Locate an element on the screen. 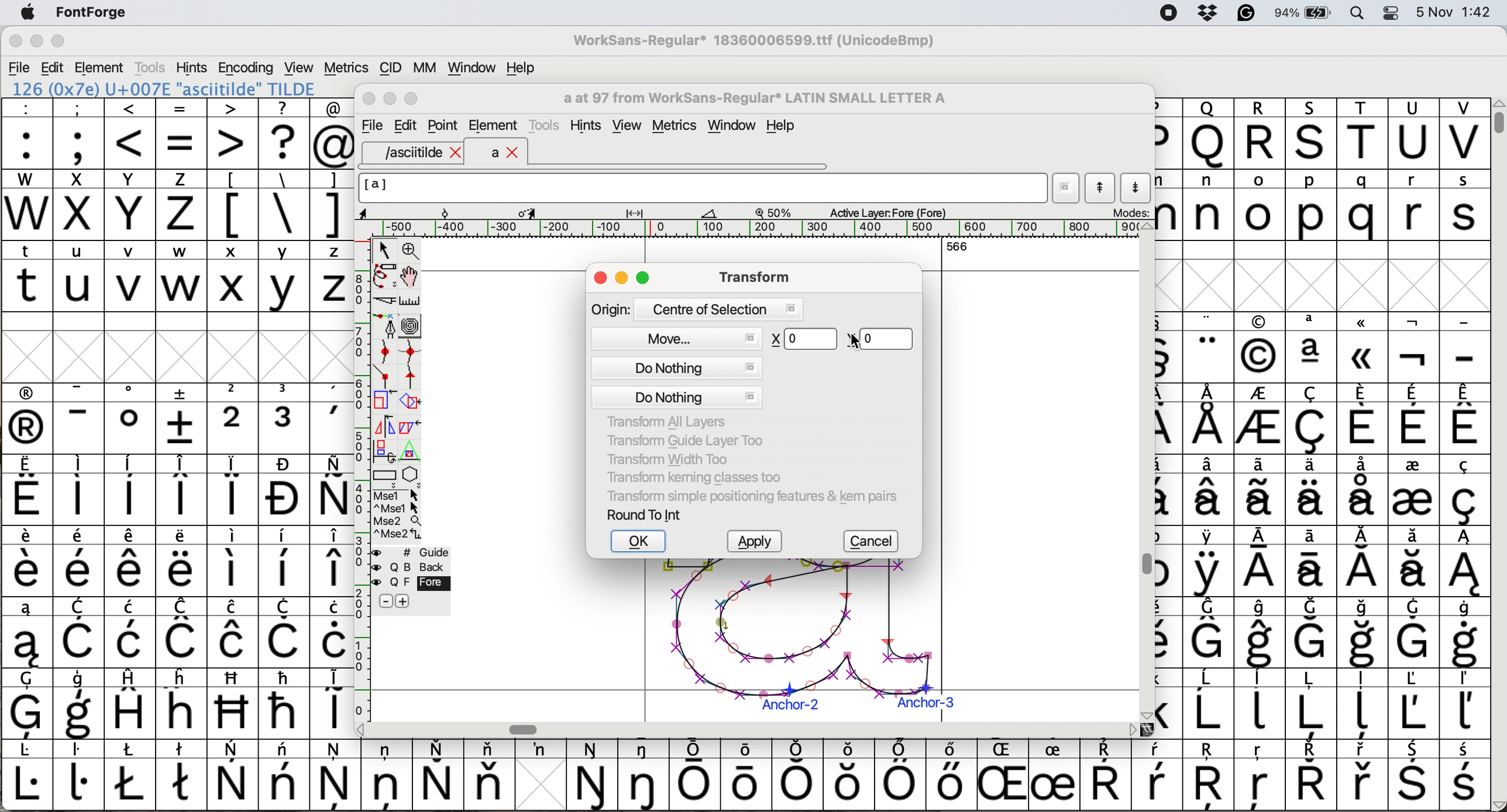 The image size is (1507, 812). symbol is located at coordinates (332, 701).